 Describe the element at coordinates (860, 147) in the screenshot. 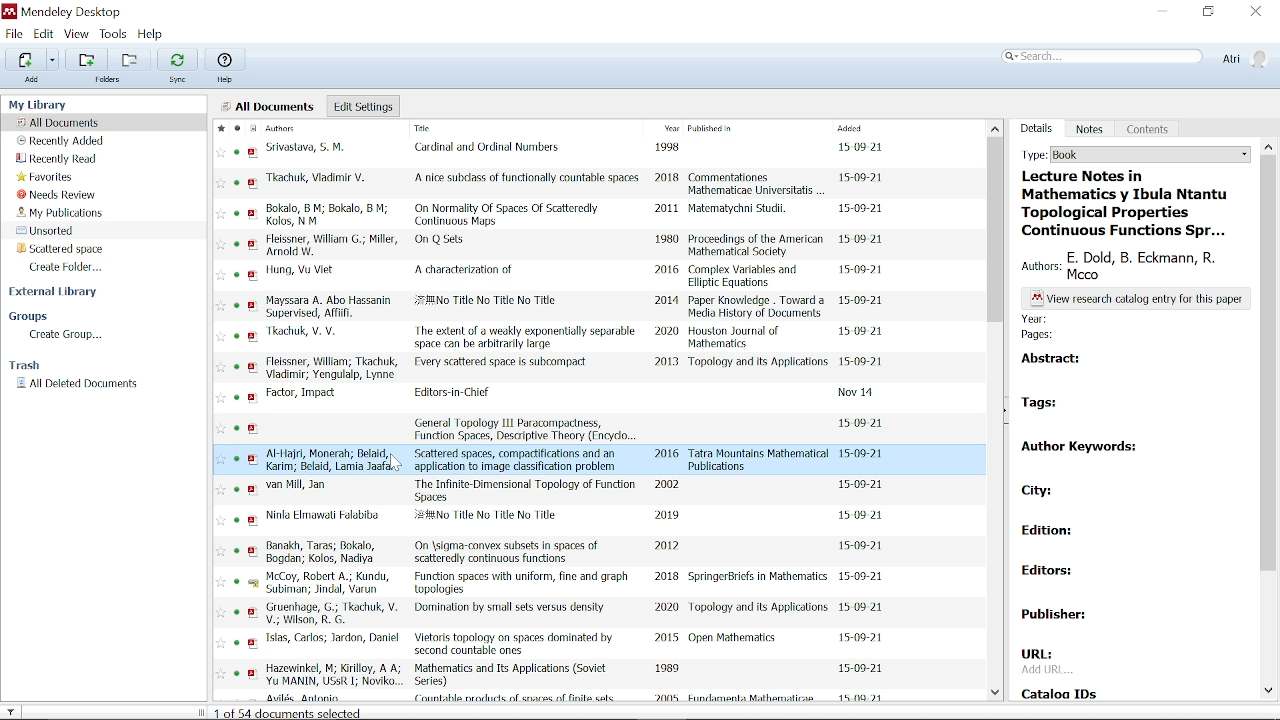

I see `date` at that location.